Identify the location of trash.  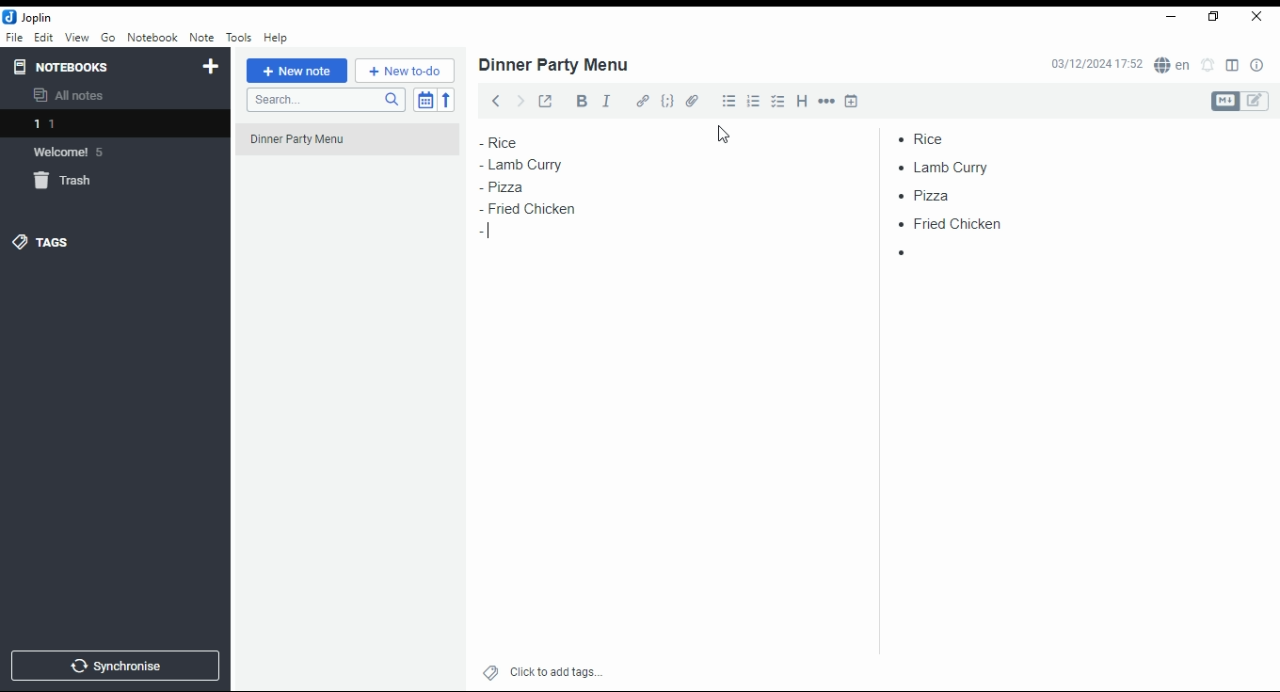
(66, 181).